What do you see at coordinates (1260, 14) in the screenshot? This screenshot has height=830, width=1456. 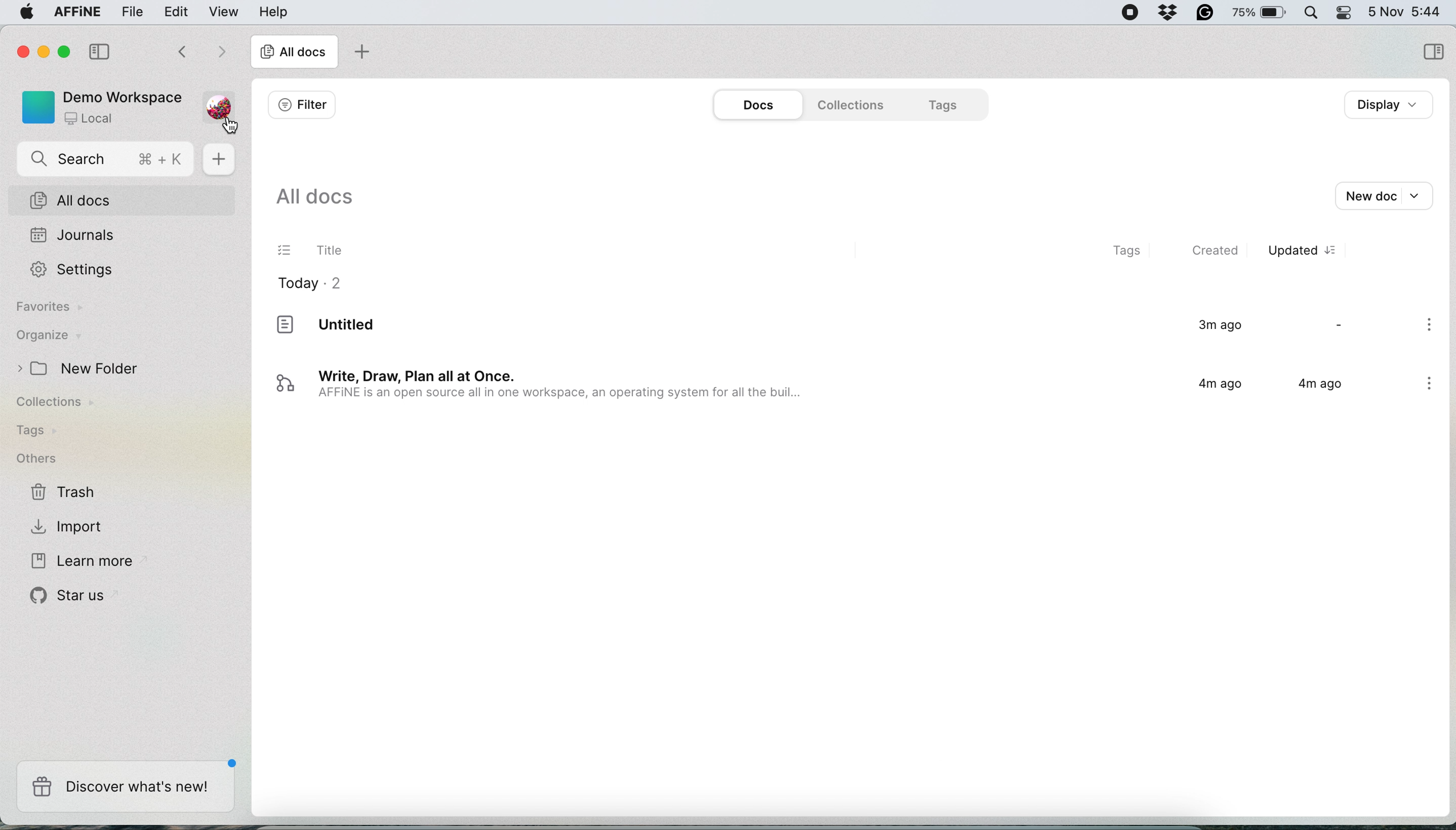 I see `75%` at bounding box center [1260, 14].